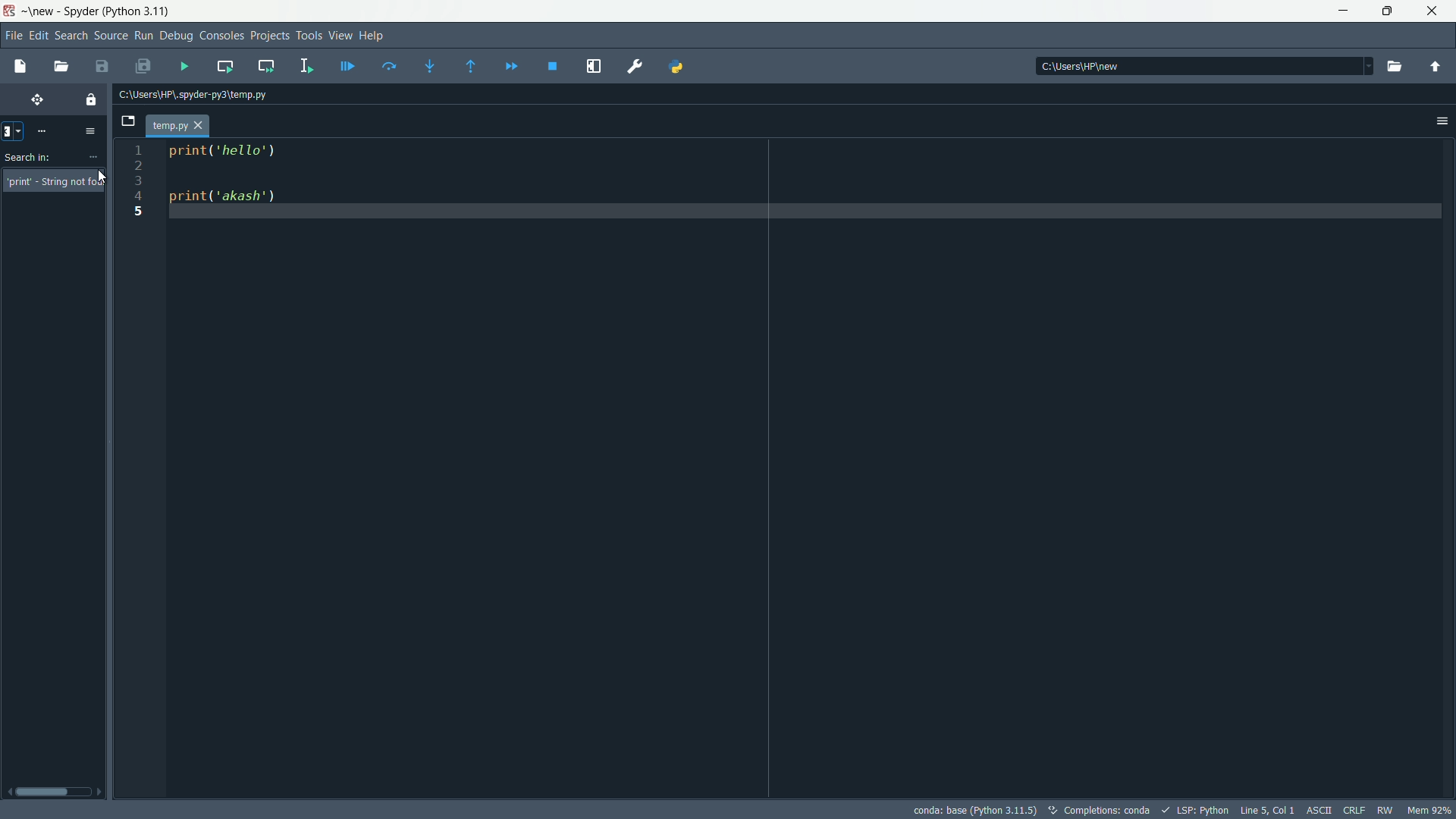 This screenshot has width=1456, height=819. I want to click on run current cell and go to the next one, so click(262, 65).